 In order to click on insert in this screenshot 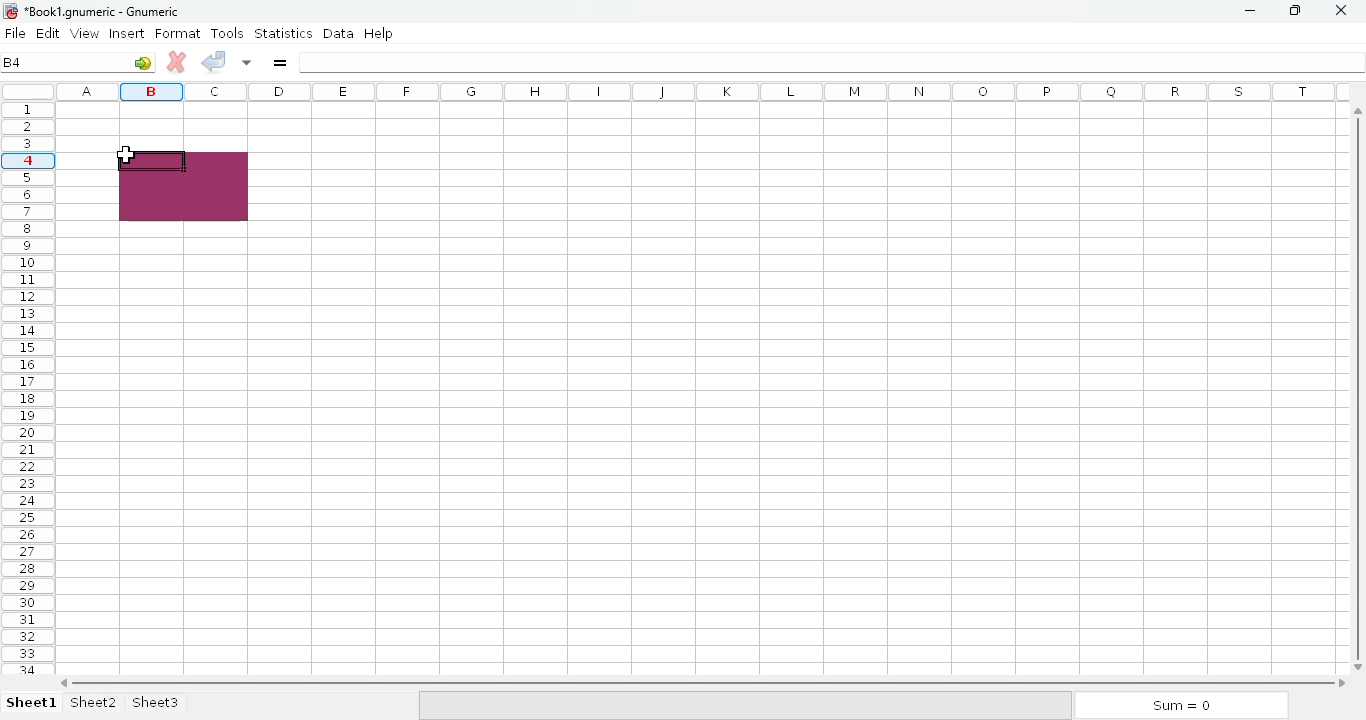, I will do `click(126, 33)`.